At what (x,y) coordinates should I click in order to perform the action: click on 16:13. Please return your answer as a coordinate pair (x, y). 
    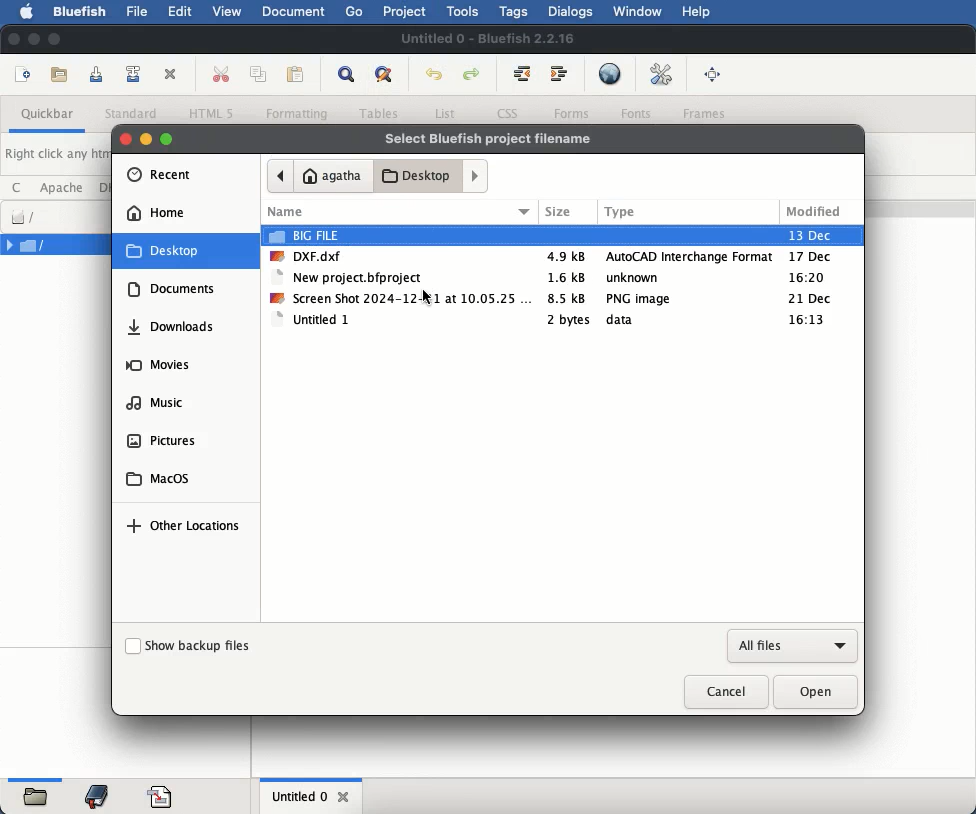
    Looking at the image, I should click on (808, 321).